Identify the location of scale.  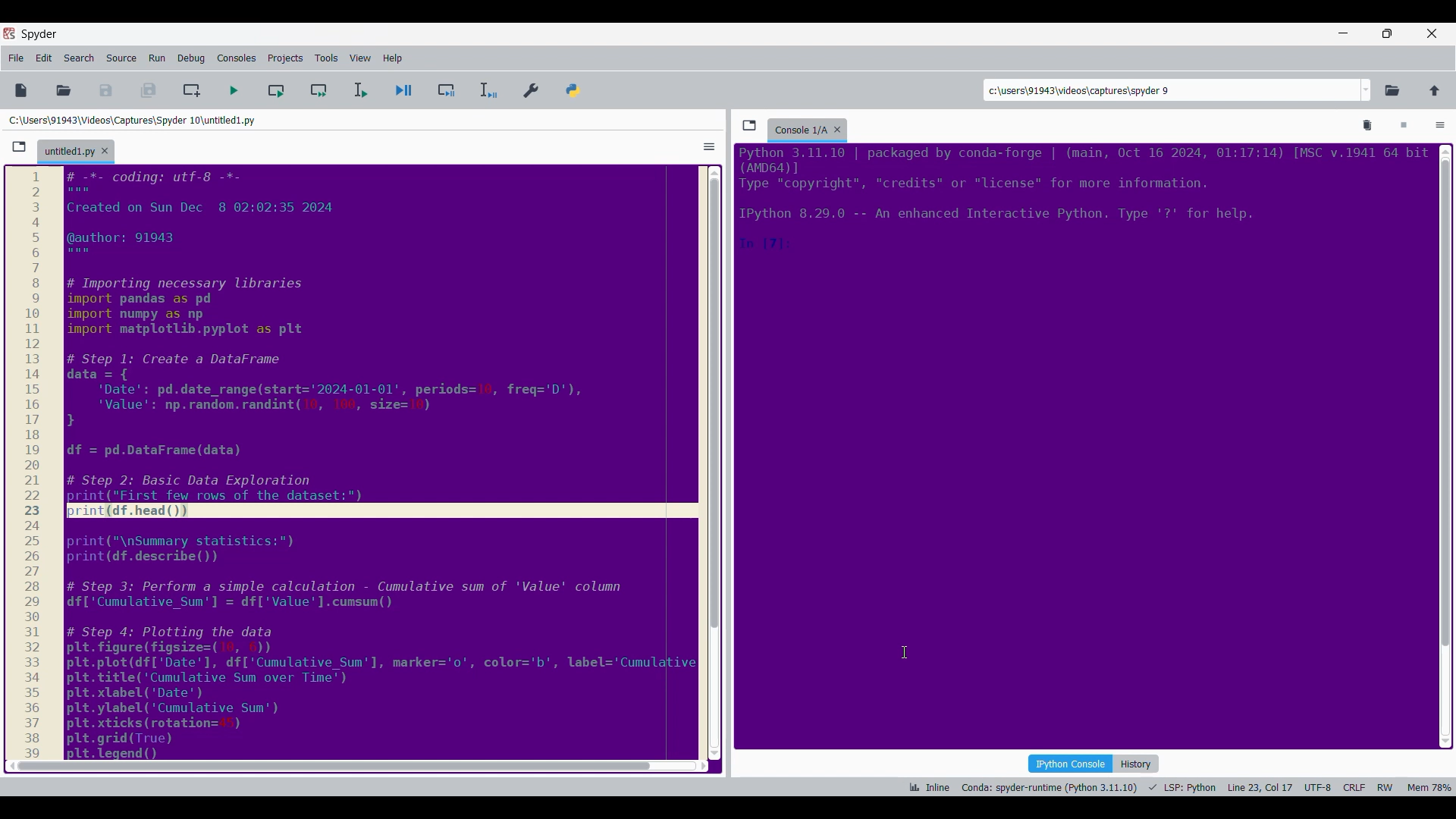
(35, 463).